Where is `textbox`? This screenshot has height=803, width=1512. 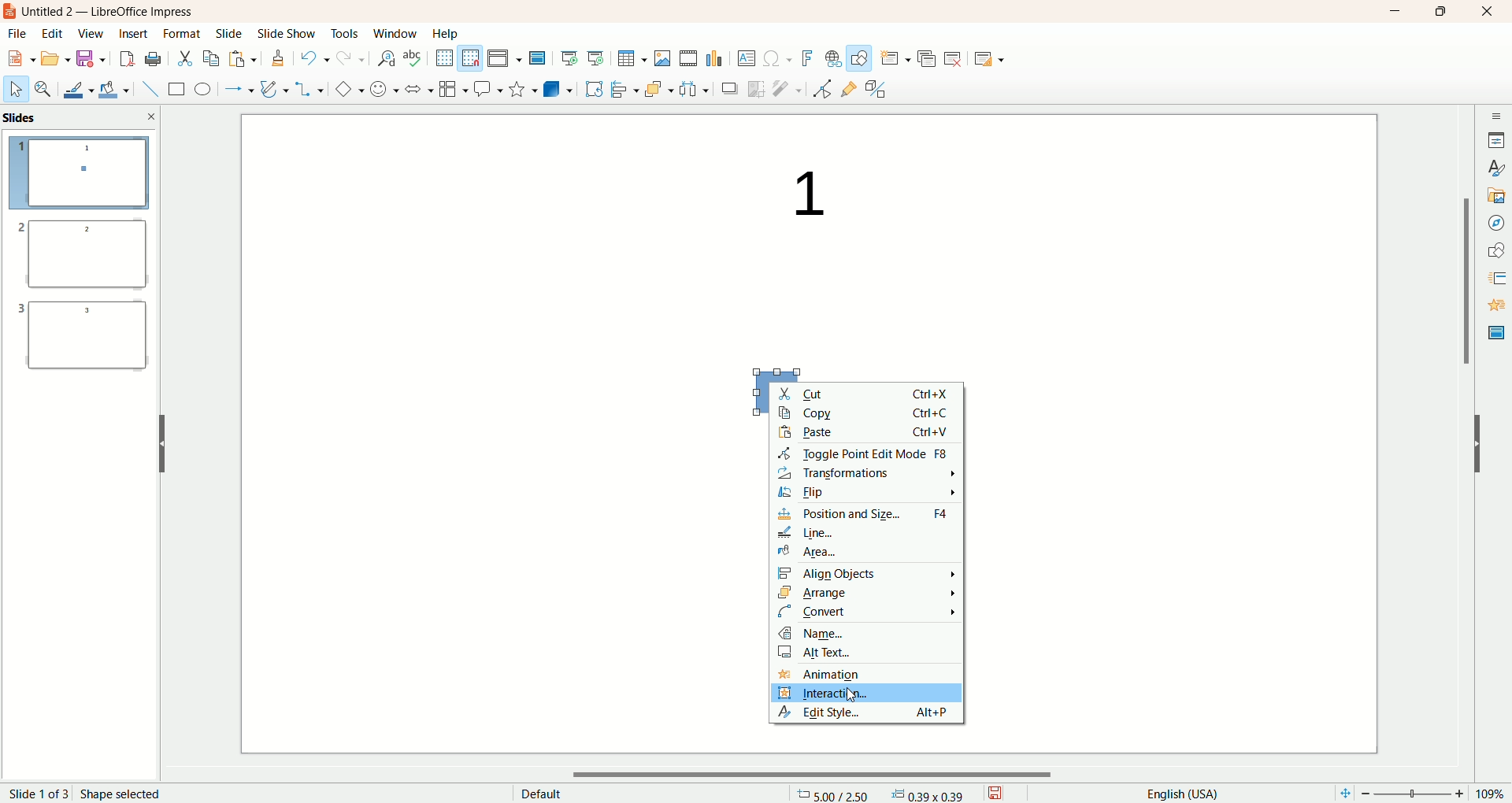 textbox is located at coordinates (746, 58).